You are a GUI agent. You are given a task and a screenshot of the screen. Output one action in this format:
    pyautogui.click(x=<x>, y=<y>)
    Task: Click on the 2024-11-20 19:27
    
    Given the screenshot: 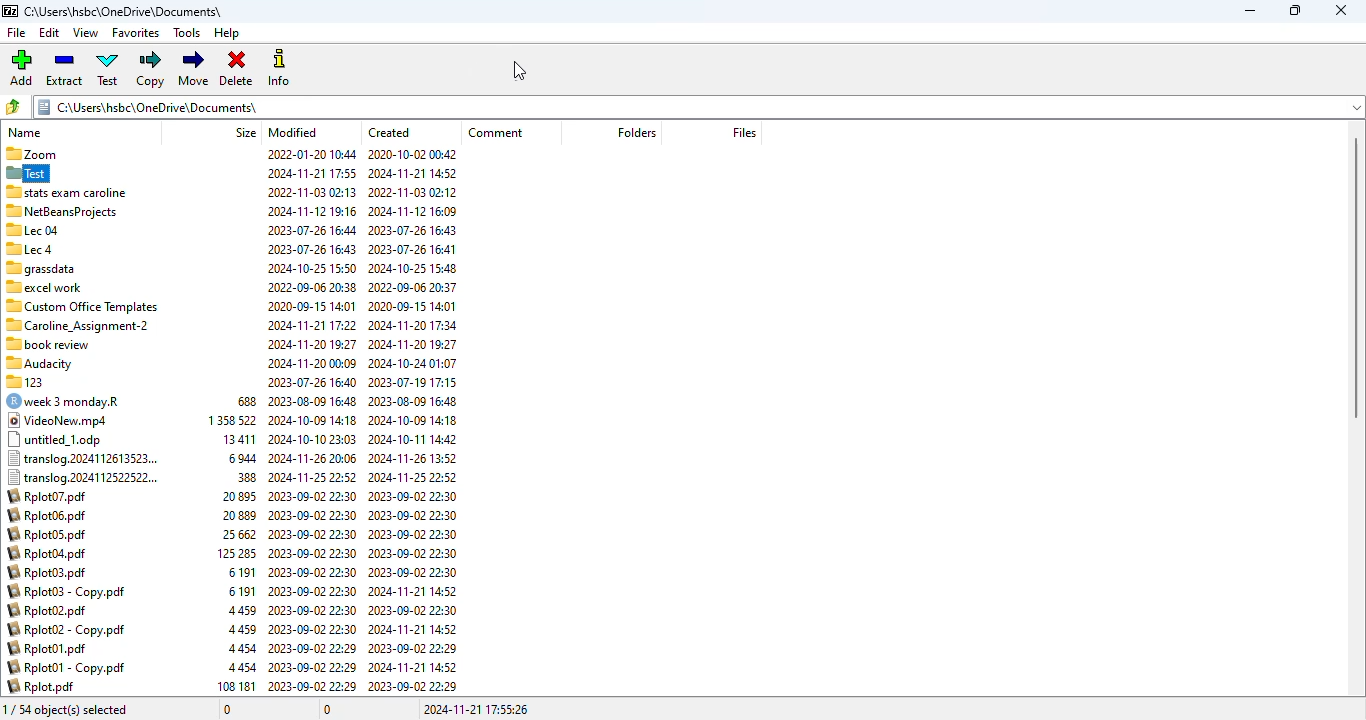 What is the action you would take?
    pyautogui.click(x=313, y=344)
    